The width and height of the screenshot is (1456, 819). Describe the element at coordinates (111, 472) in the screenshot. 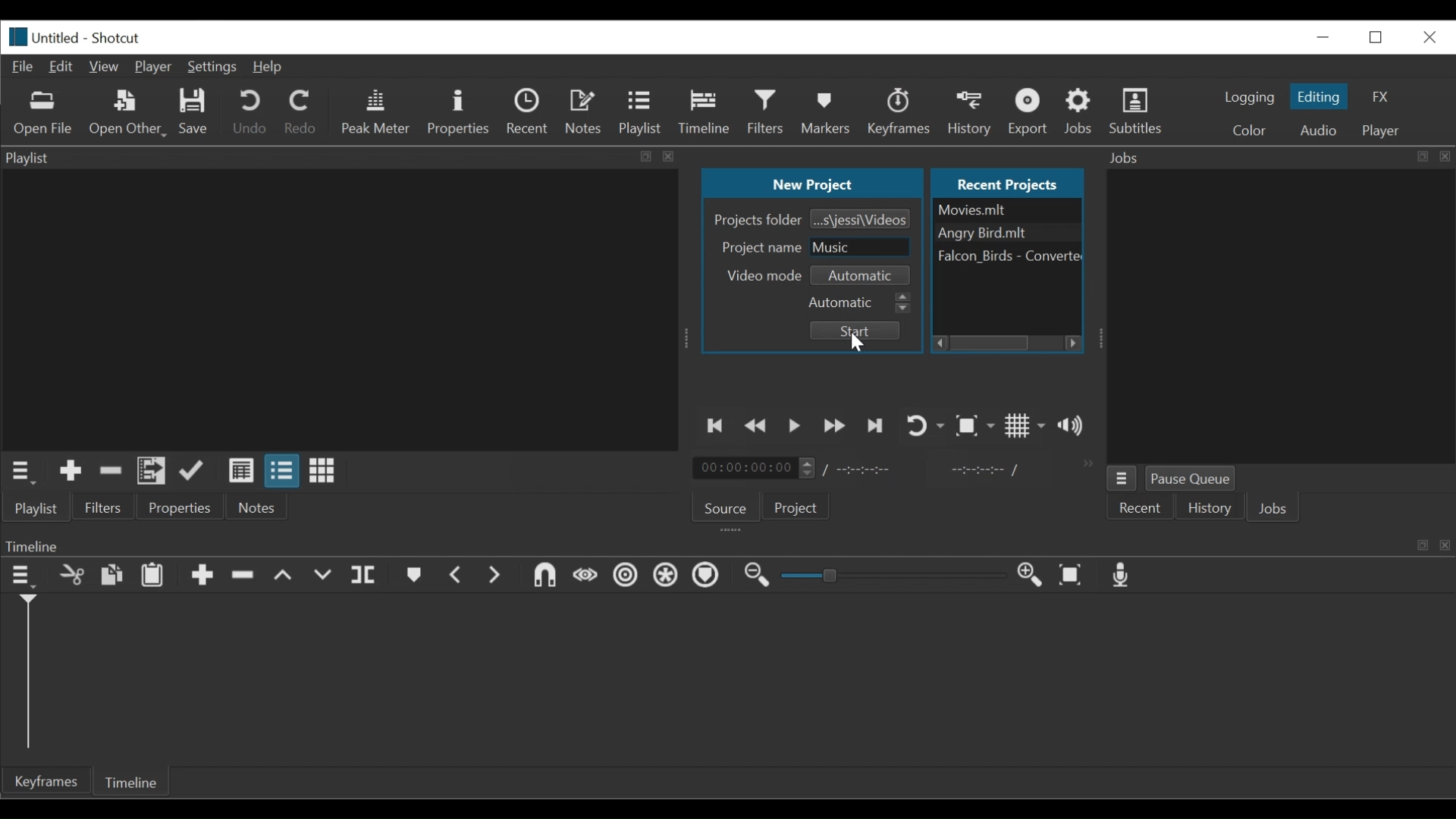

I see `Remove Cut` at that location.